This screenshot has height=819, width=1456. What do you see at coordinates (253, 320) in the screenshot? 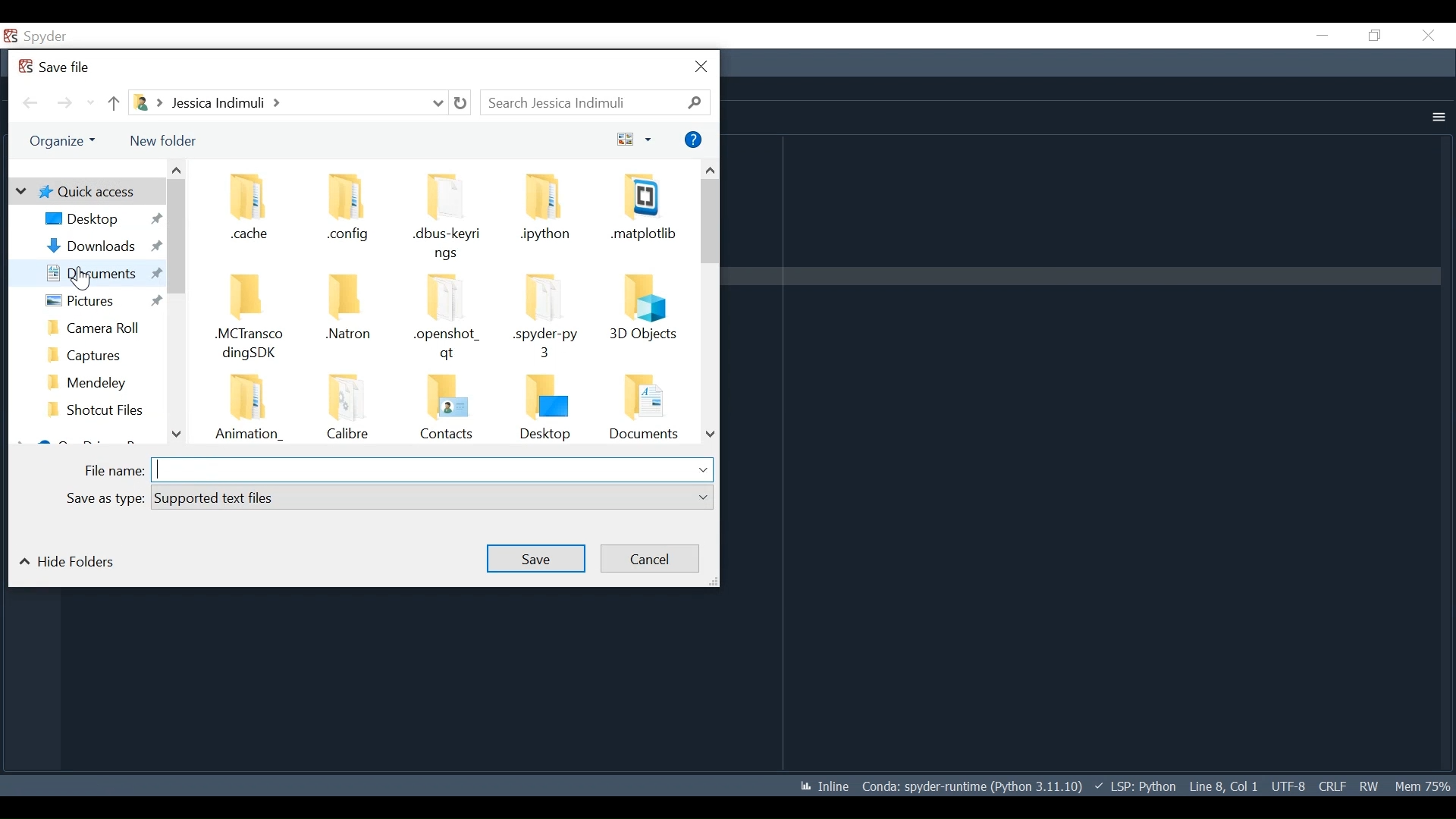
I see `Folder` at bounding box center [253, 320].